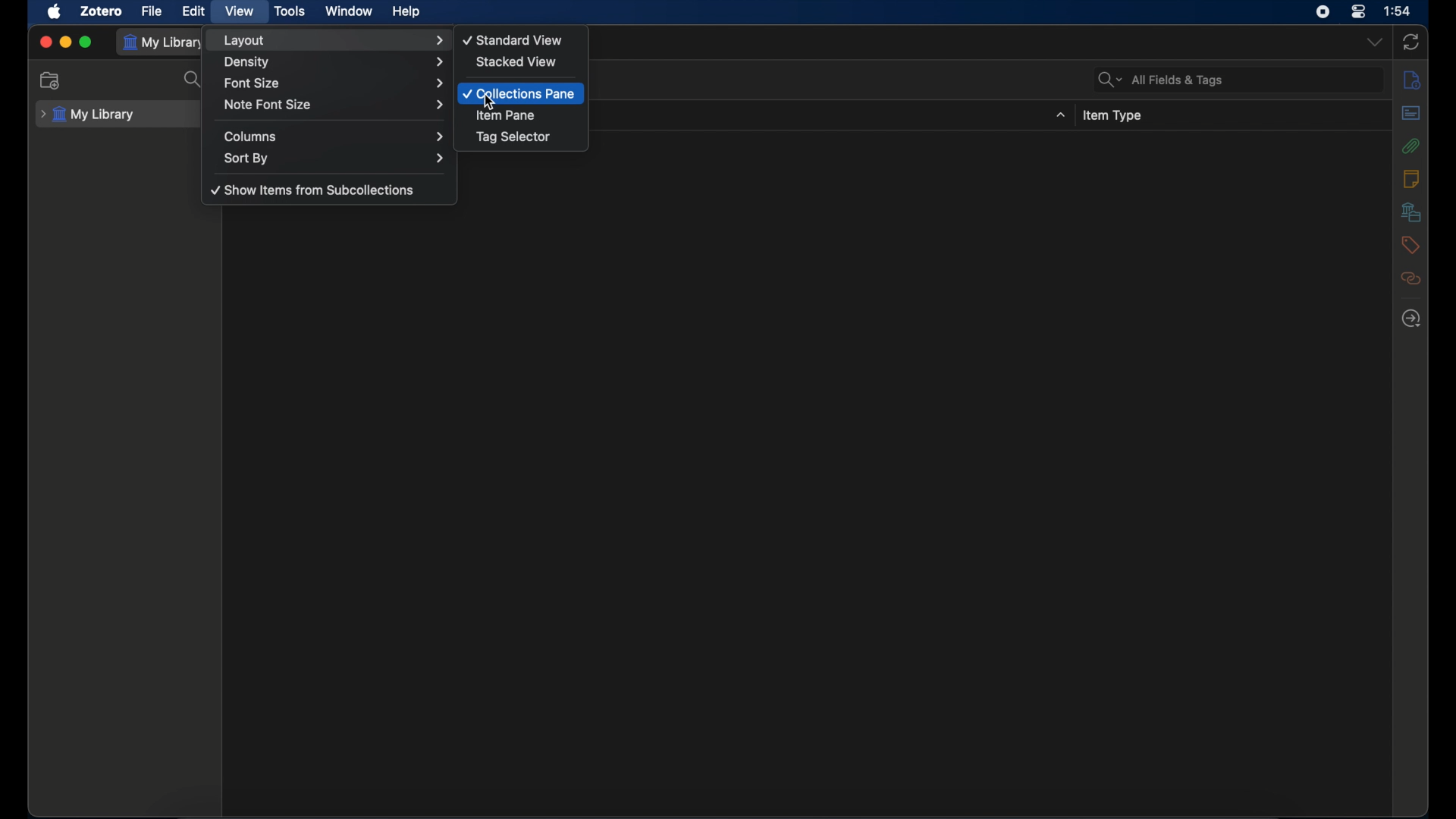 Image resolution: width=1456 pixels, height=819 pixels. Describe the element at coordinates (1410, 42) in the screenshot. I see `sync` at that location.